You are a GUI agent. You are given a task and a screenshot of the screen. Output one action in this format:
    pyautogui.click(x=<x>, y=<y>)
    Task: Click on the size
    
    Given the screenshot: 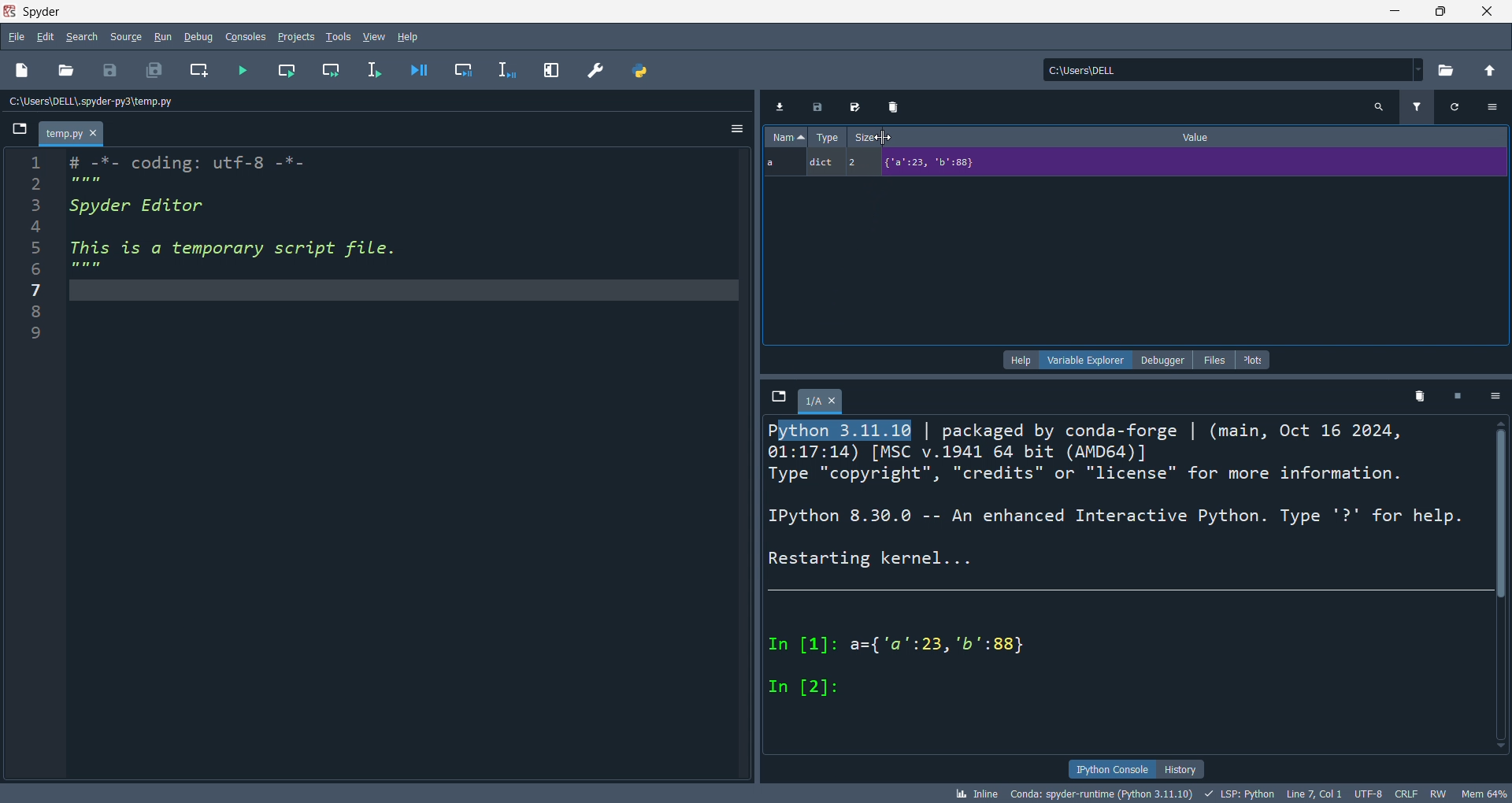 What is the action you would take?
    pyautogui.click(x=872, y=139)
    